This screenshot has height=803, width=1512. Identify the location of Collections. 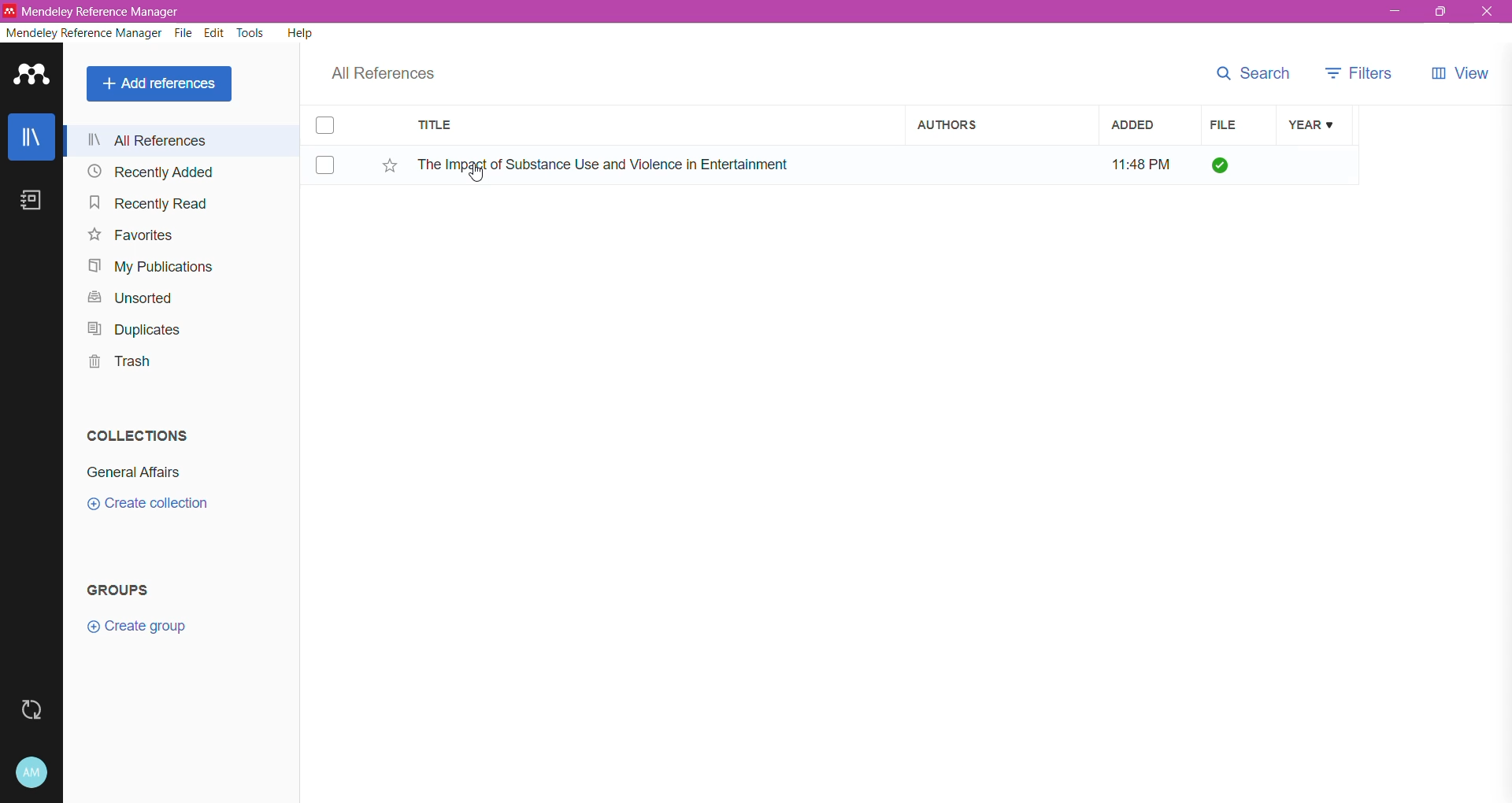
(138, 435).